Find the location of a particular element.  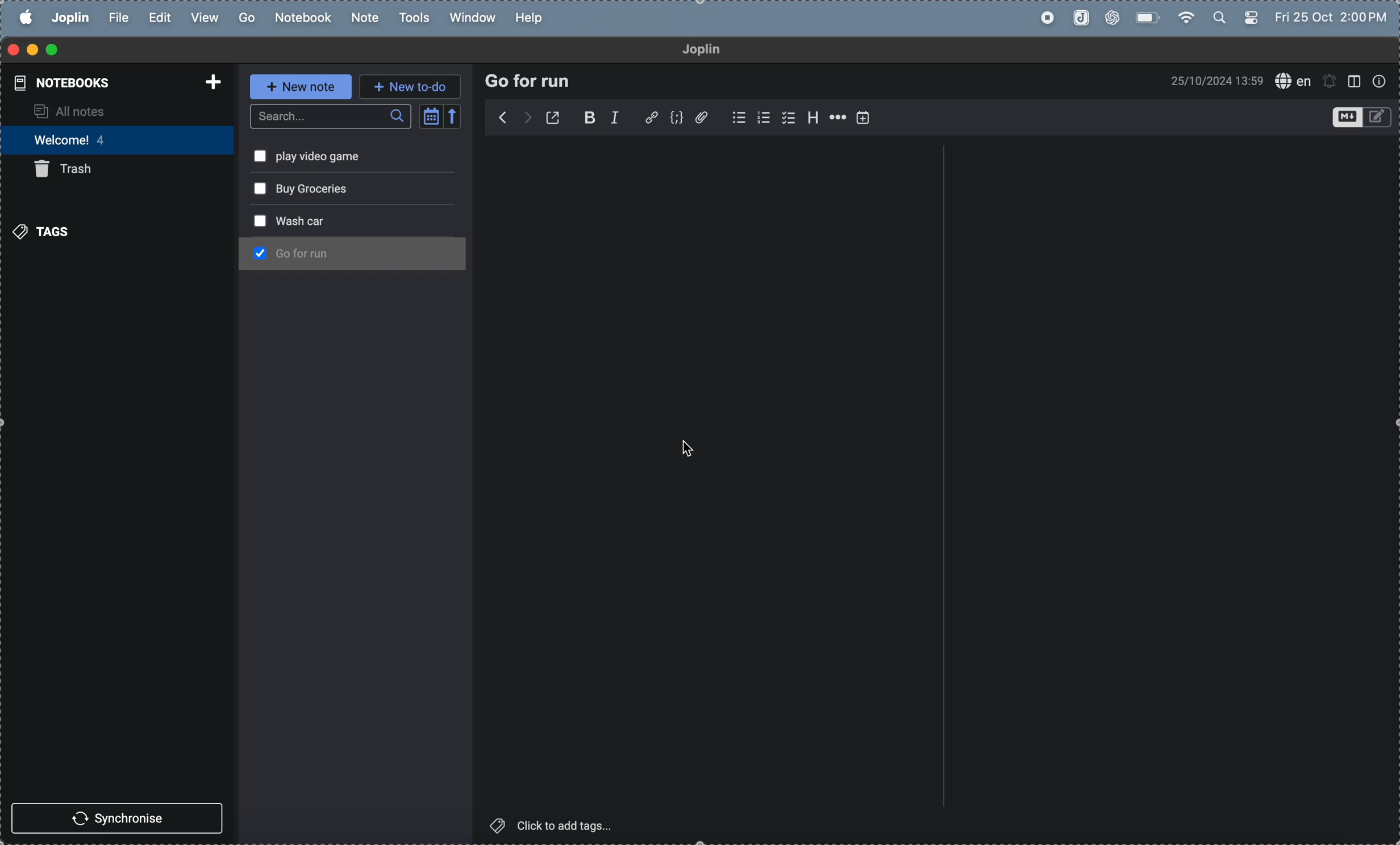

calendar  is located at coordinates (442, 115).